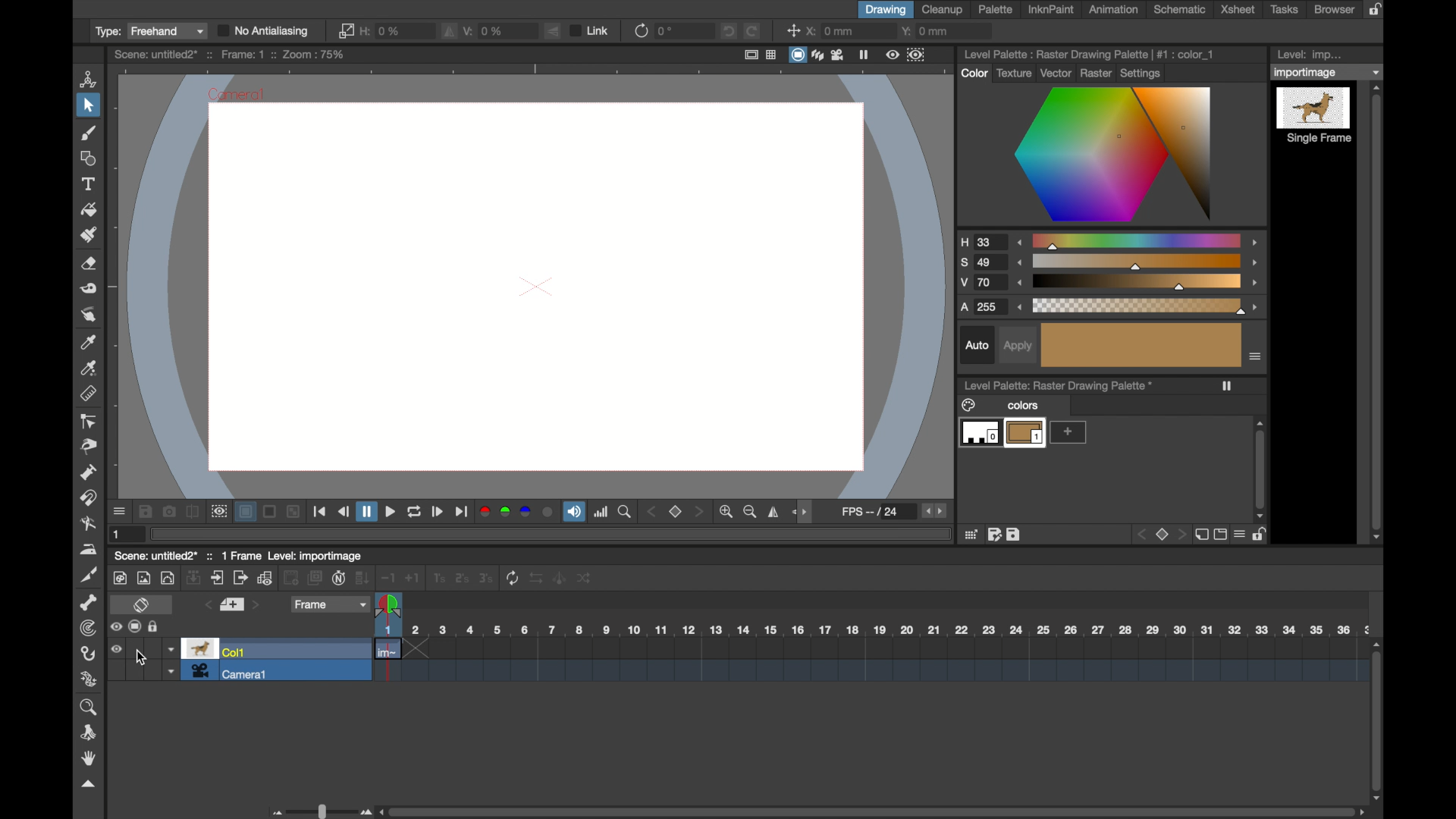 This screenshot has width=1456, height=819. What do you see at coordinates (315, 579) in the screenshot?
I see `screens` at bounding box center [315, 579].